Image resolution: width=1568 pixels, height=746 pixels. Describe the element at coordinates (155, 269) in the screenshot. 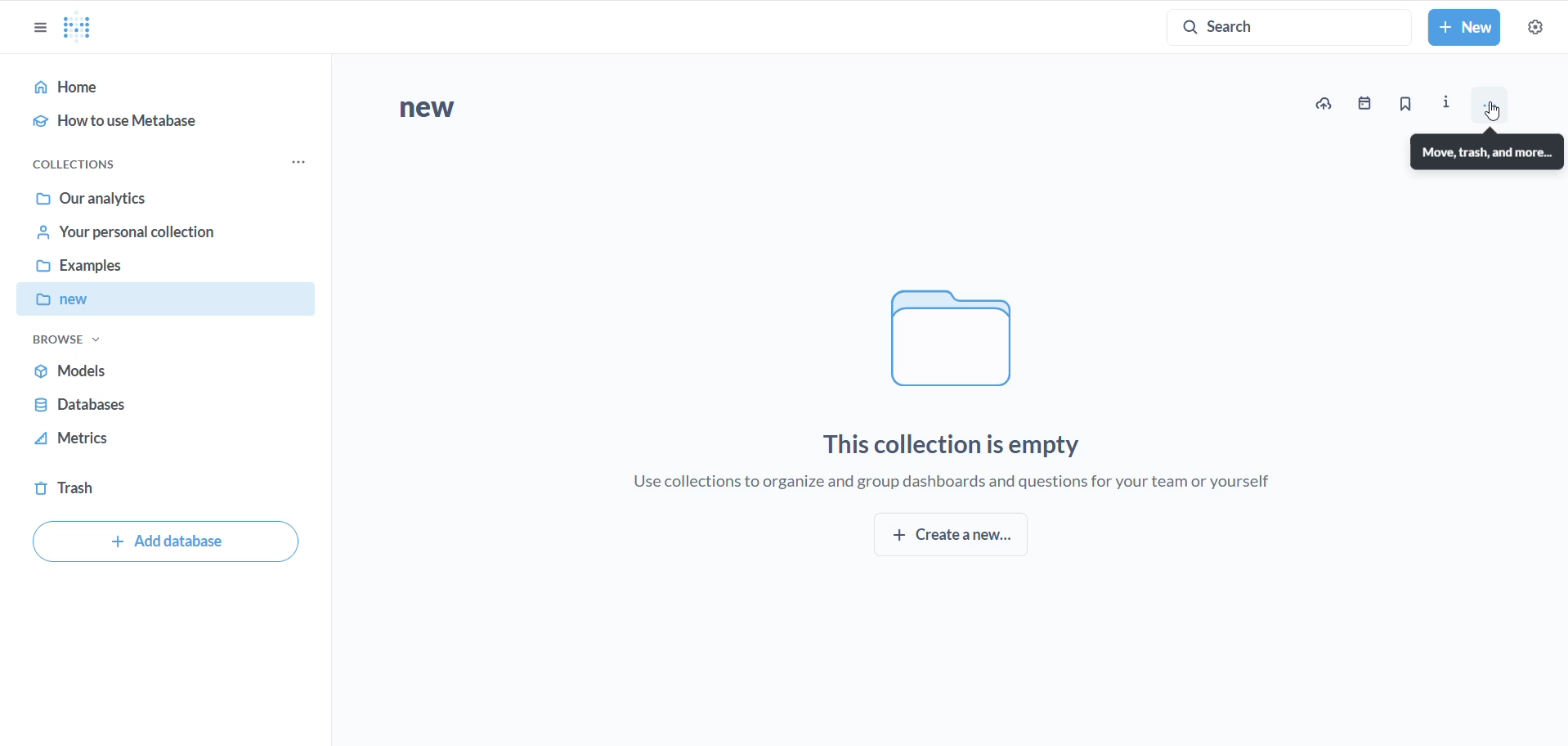

I see `examples` at that location.